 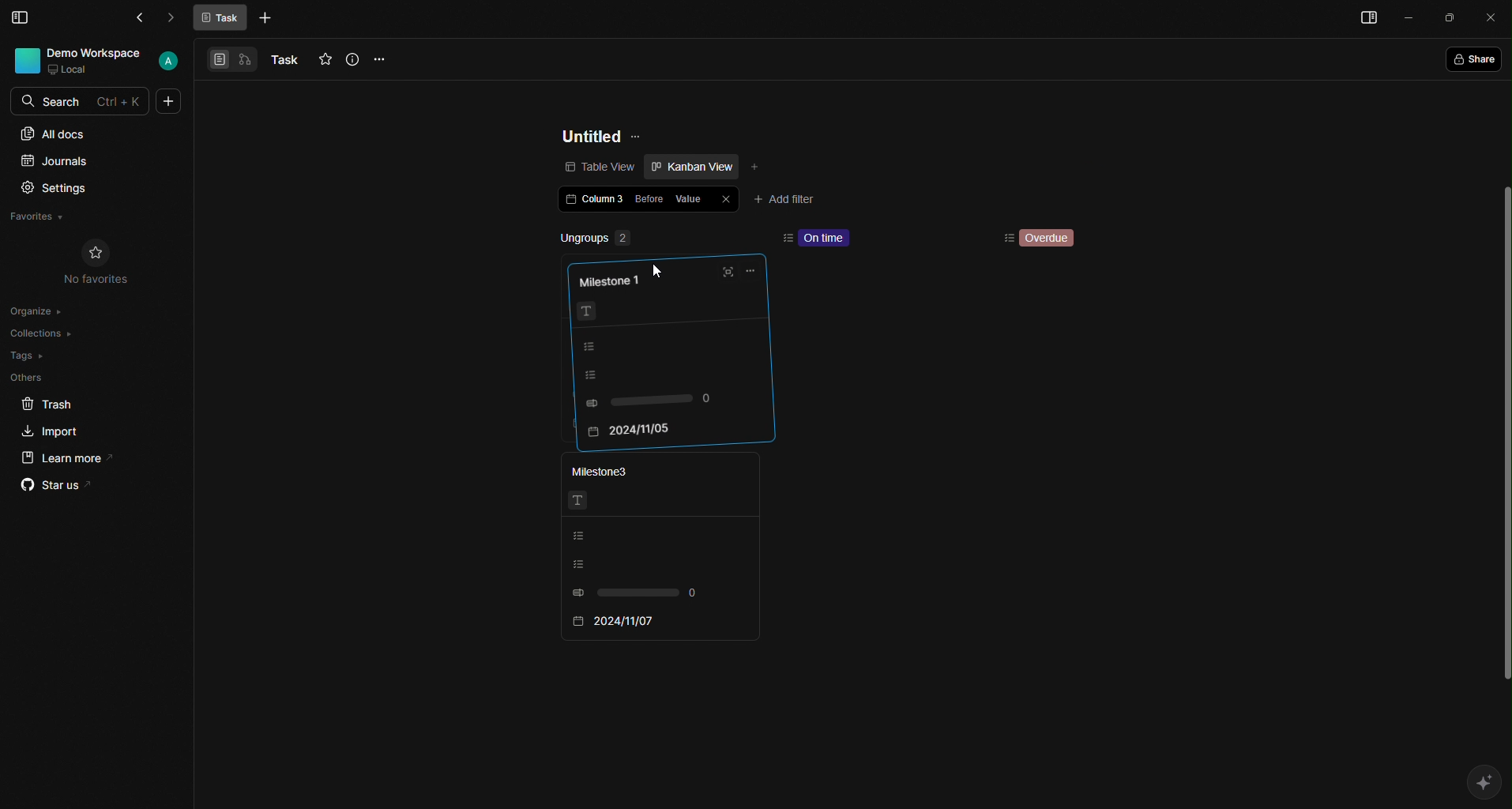 What do you see at coordinates (54, 188) in the screenshot?
I see `Settings` at bounding box center [54, 188].